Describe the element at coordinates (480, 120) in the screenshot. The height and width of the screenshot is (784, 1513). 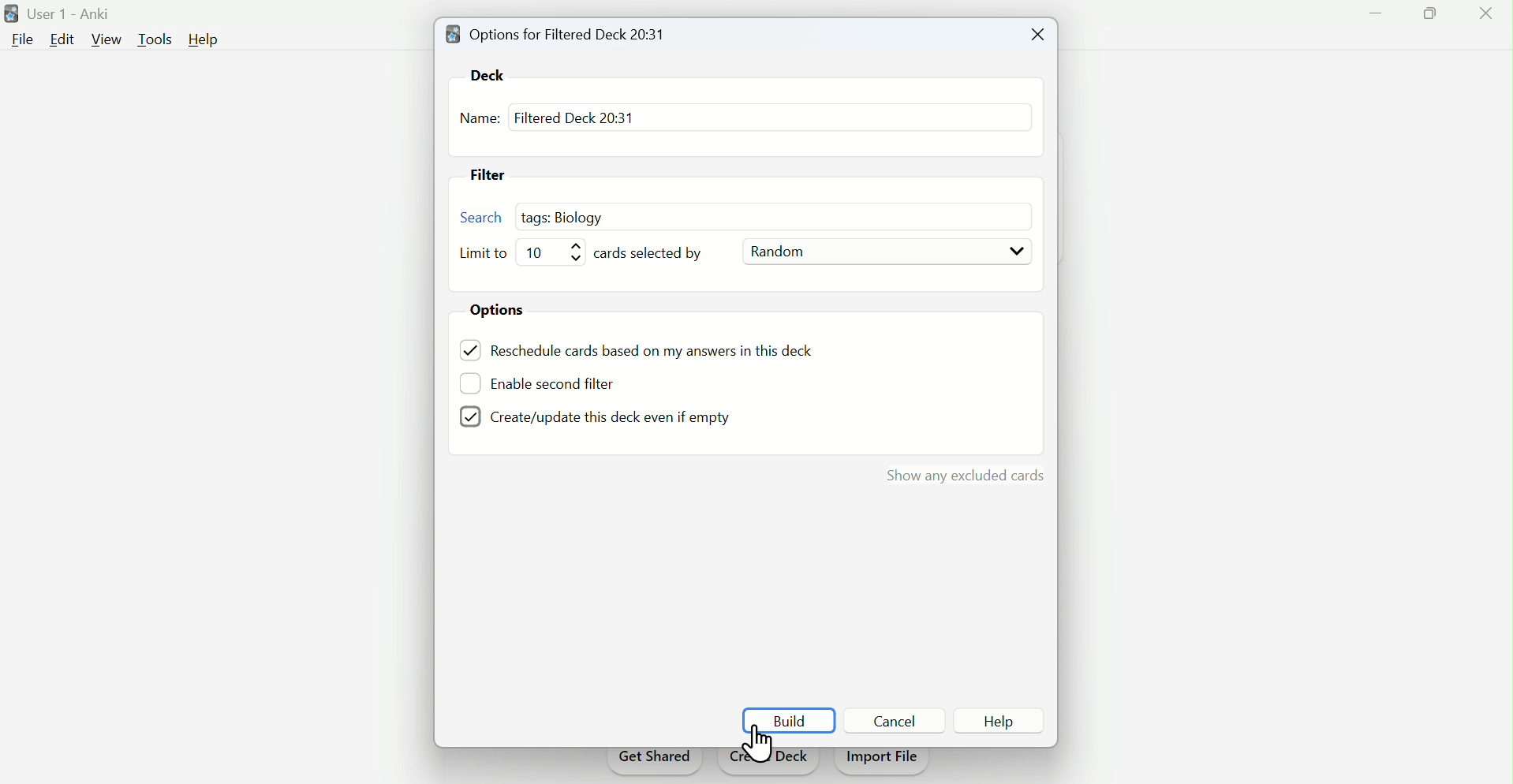
I see `Name:` at that location.